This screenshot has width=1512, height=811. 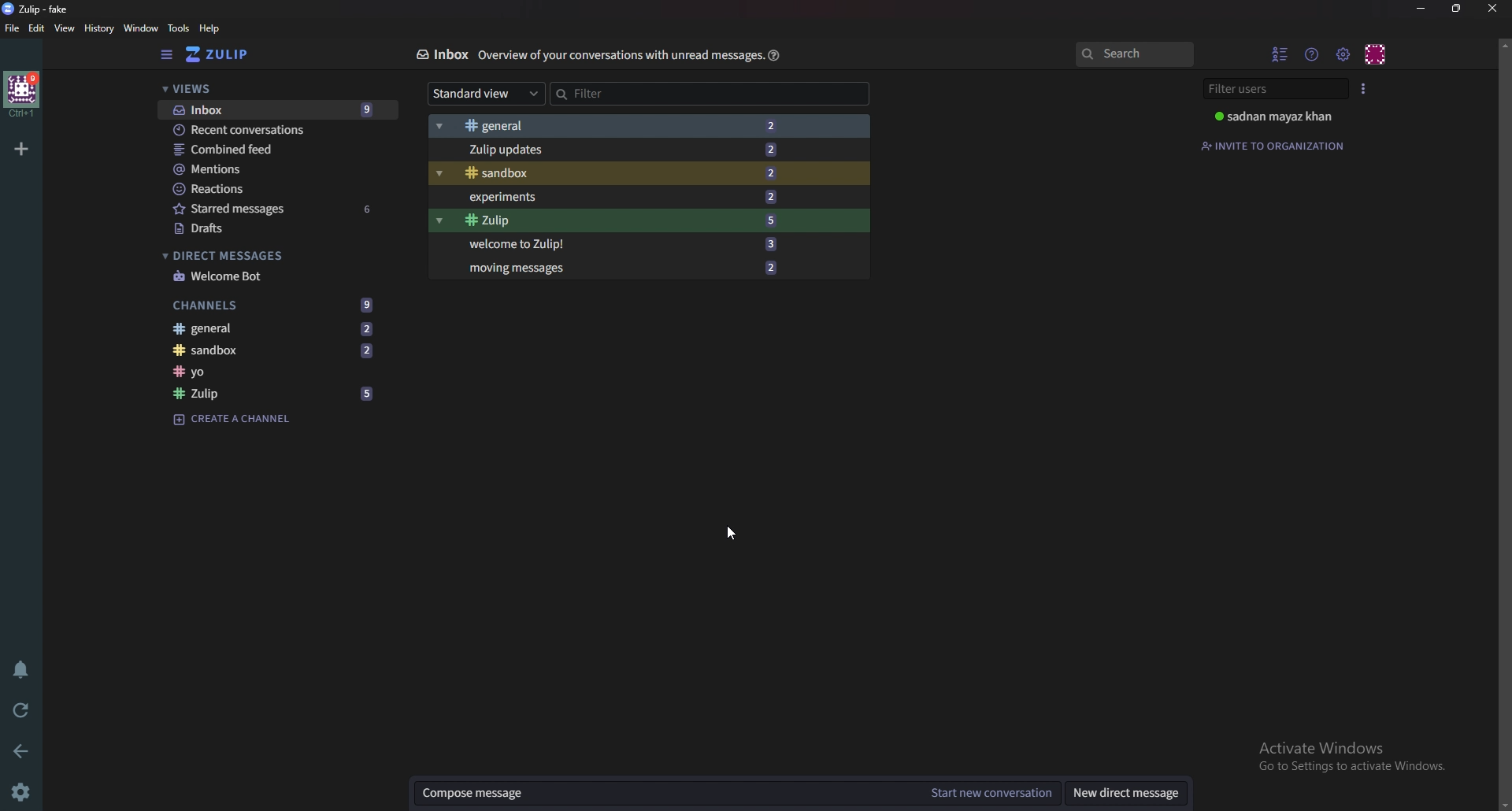 I want to click on Sandbox, so click(x=630, y=172).